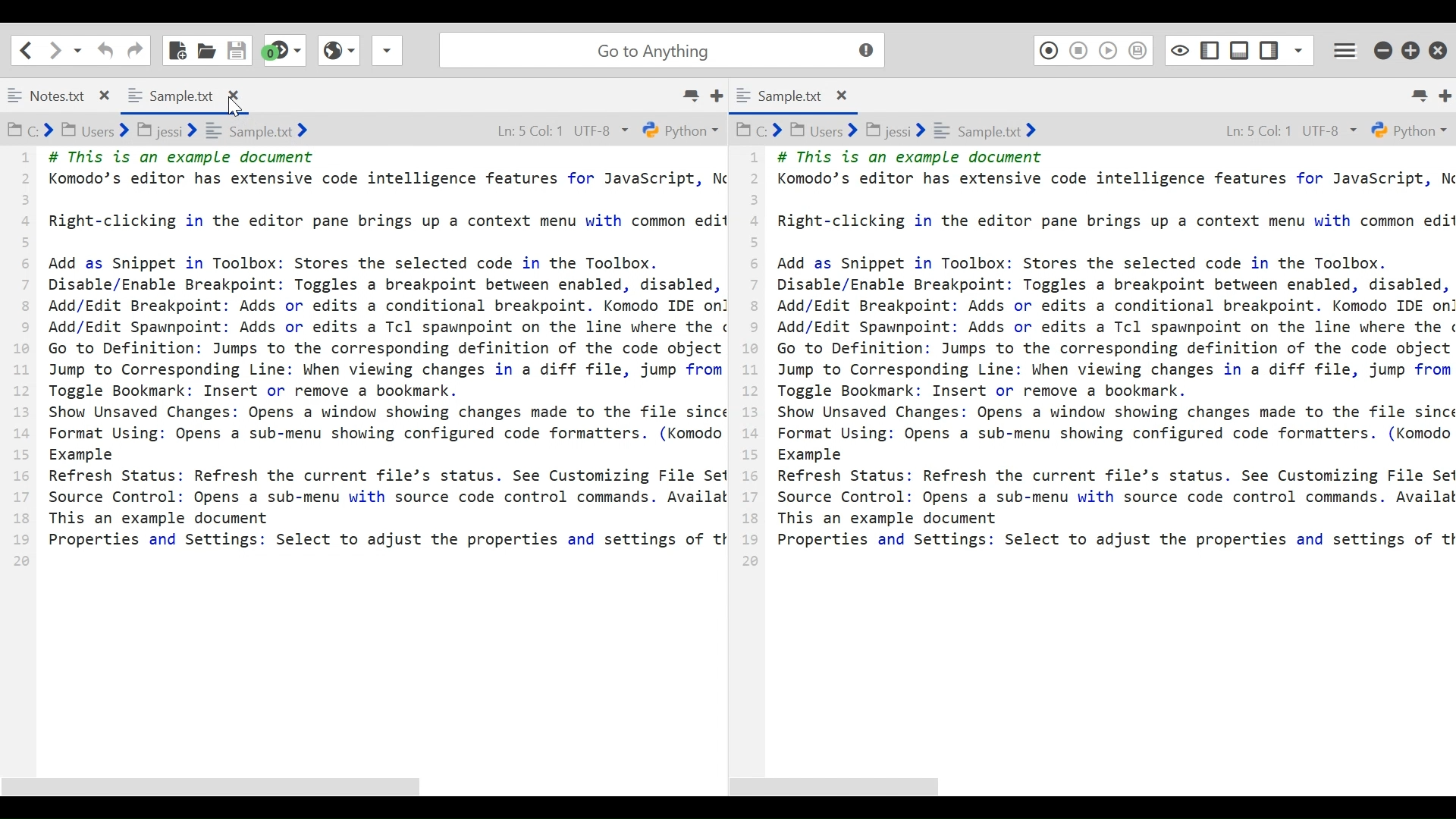 The height and width of the screenshot is (819, 1456). Describe the element at coordinates (1212, 49) in the screenshot. I see `Show/Hide Left Pane` at that location.